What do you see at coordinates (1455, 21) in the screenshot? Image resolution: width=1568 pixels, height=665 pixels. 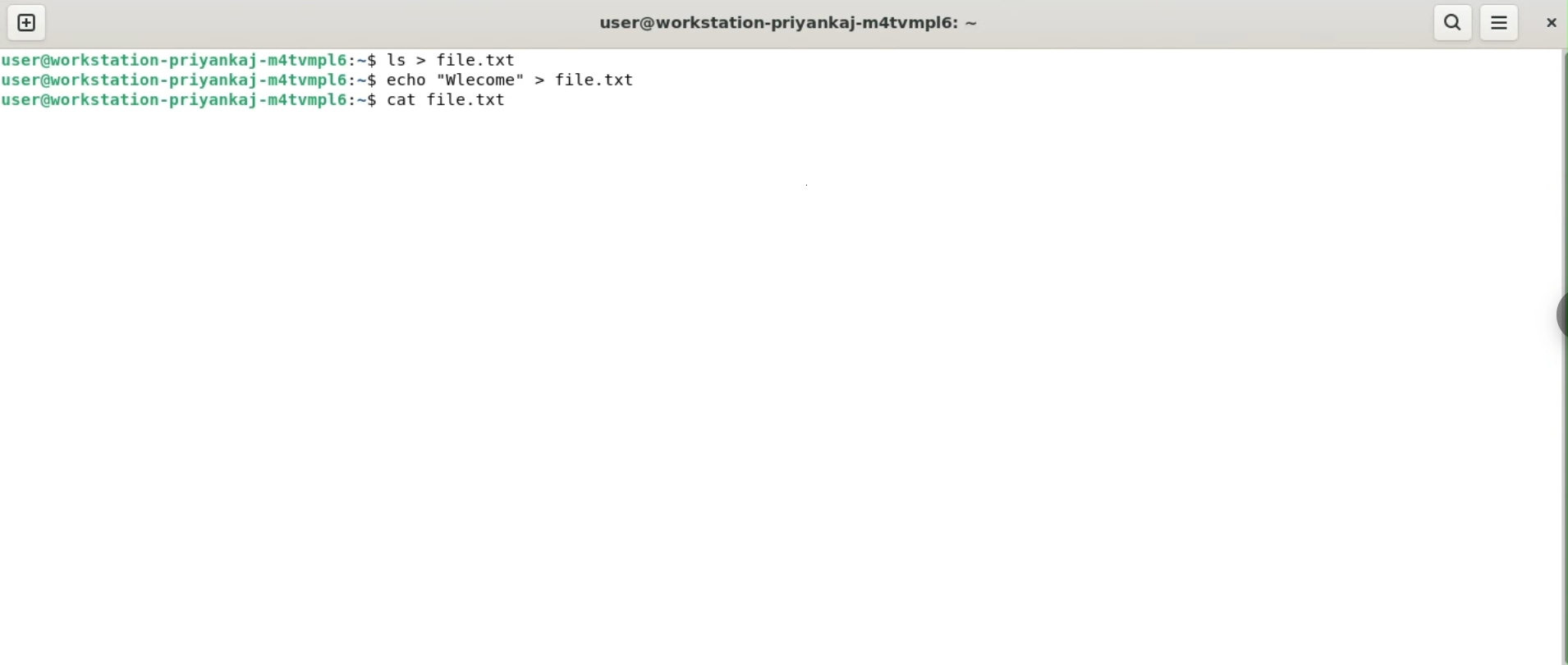 I see `search` at bounding box center [1455, 21].